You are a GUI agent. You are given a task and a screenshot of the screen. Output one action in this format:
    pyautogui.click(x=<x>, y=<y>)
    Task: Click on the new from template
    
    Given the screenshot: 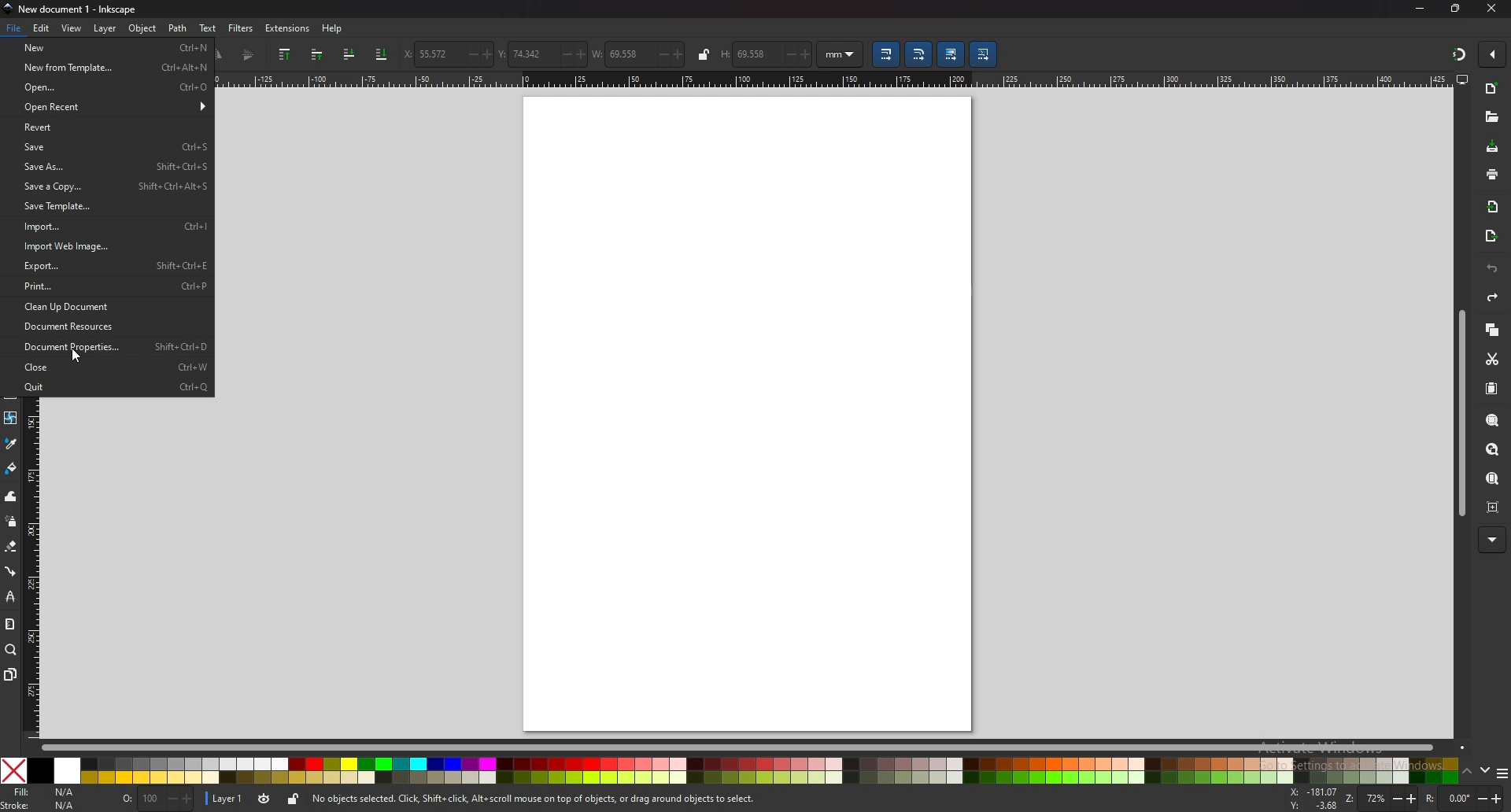 What is the action you would take?
    pyautogui.click(x=112, y=67)
    